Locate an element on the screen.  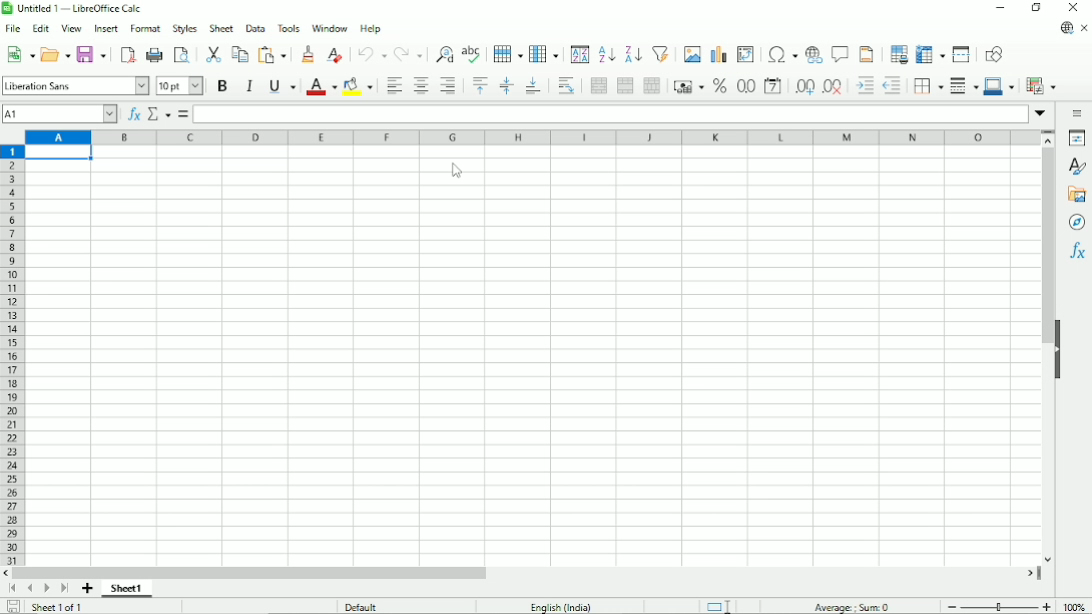
Properties is located at coordinates (1075, 137).